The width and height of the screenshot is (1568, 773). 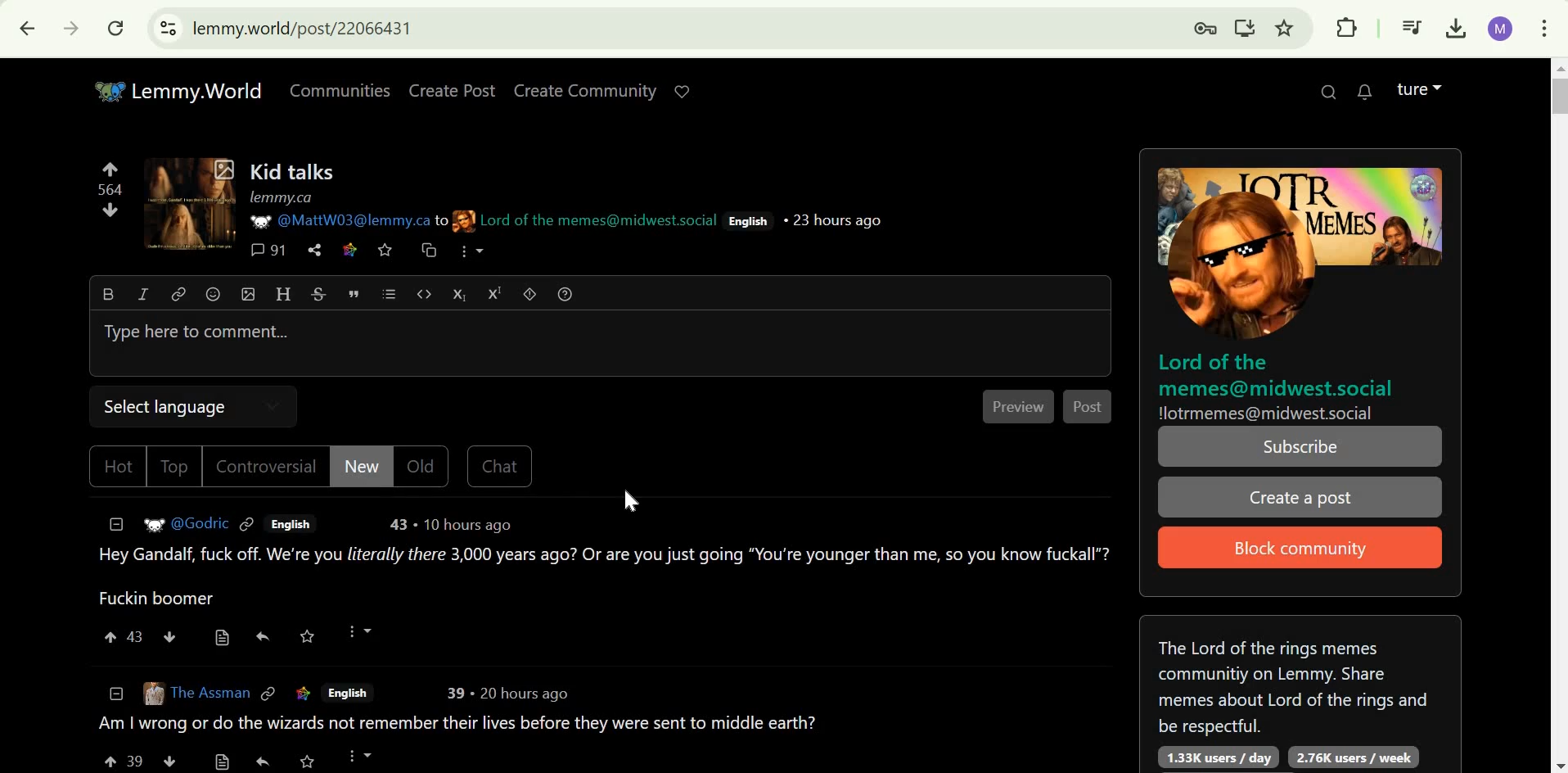 What do you see at coordinates (70, 28) in the screenshot?
I see `Click to go forward, hold to see history` at bounding box center [70, 28].